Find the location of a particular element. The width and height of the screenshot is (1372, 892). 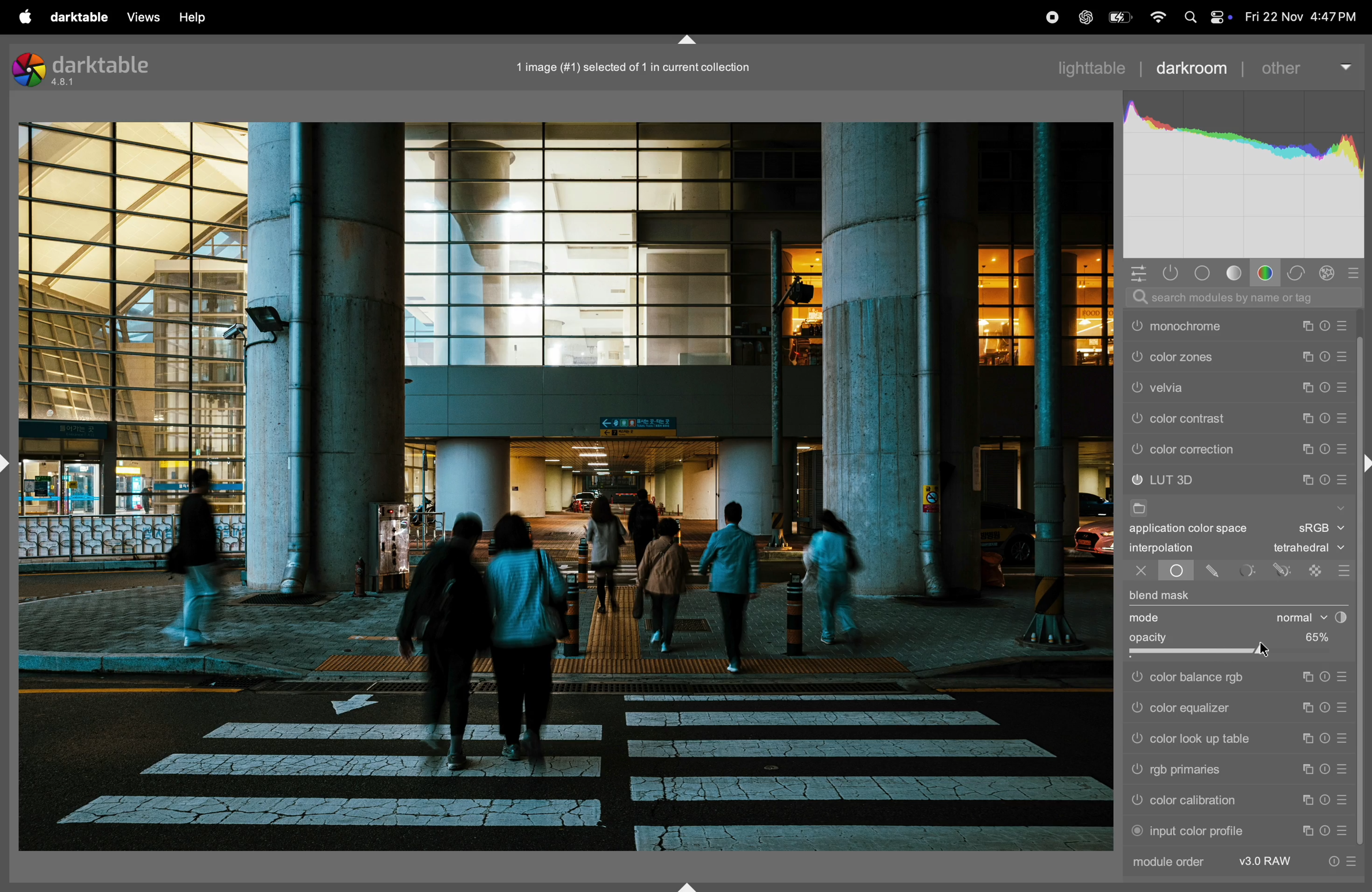

color equalizer switched off is located at coordinates (1135, 712).